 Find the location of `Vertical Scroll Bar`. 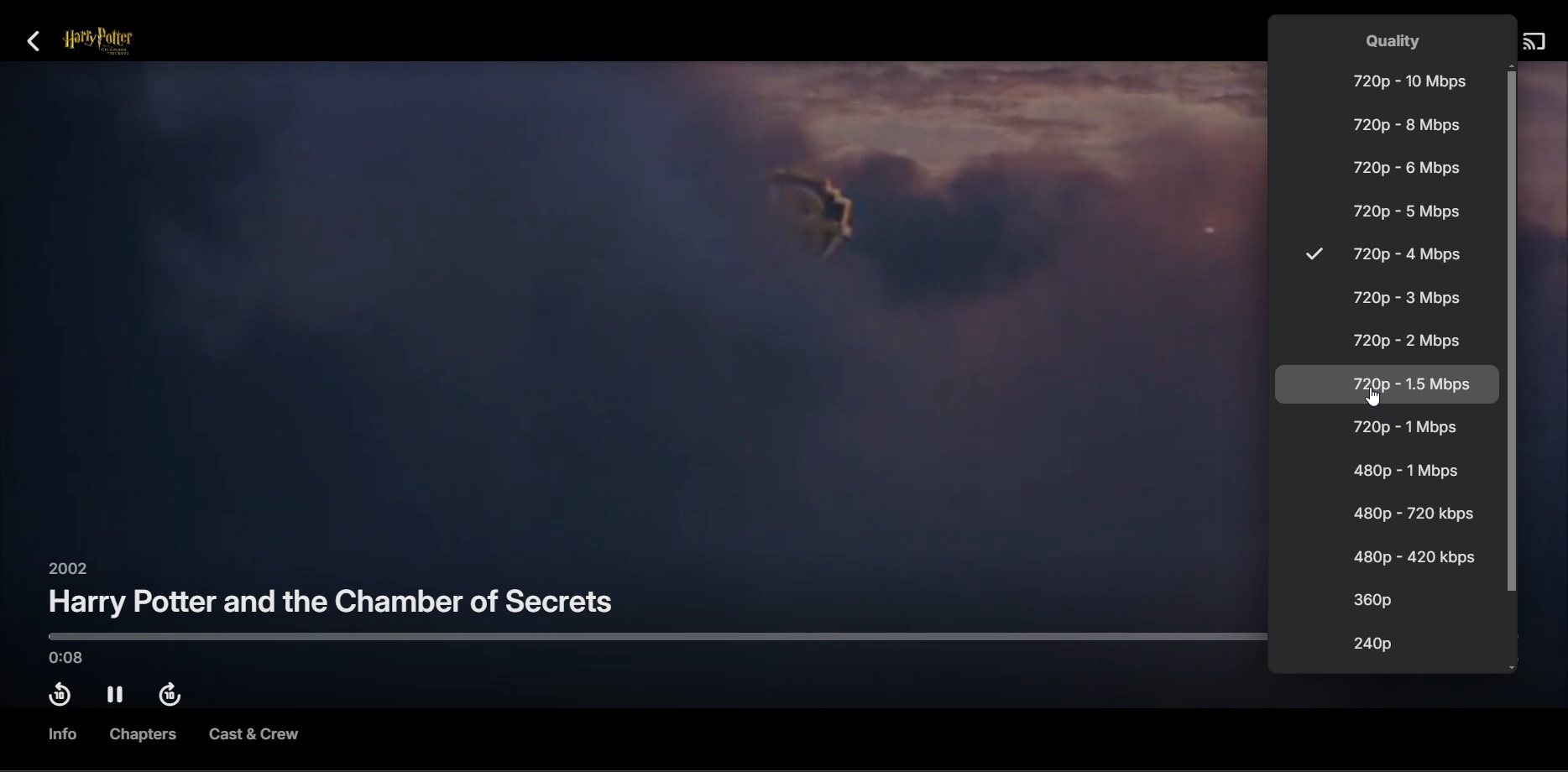

Vertical Scroll Bar is located at coordinates (1513, 367).